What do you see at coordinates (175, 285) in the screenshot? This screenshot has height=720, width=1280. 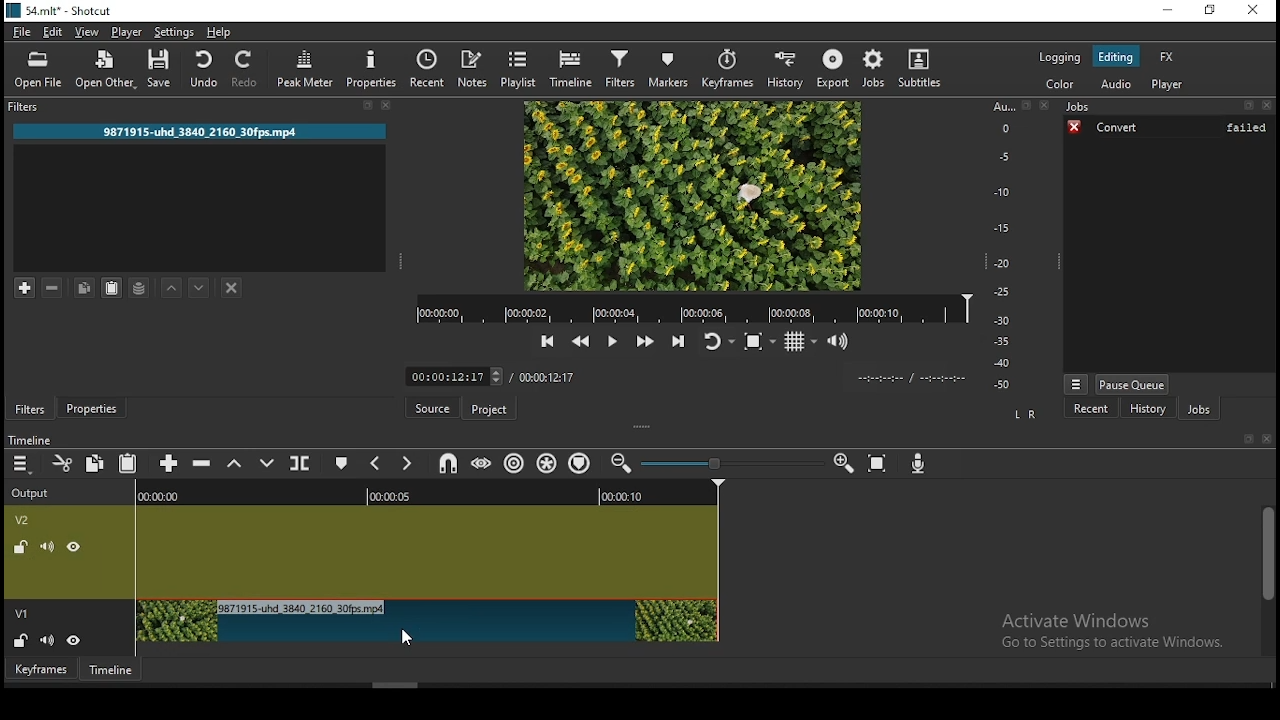 I see `move filter up` at bounding box center [175, 285].